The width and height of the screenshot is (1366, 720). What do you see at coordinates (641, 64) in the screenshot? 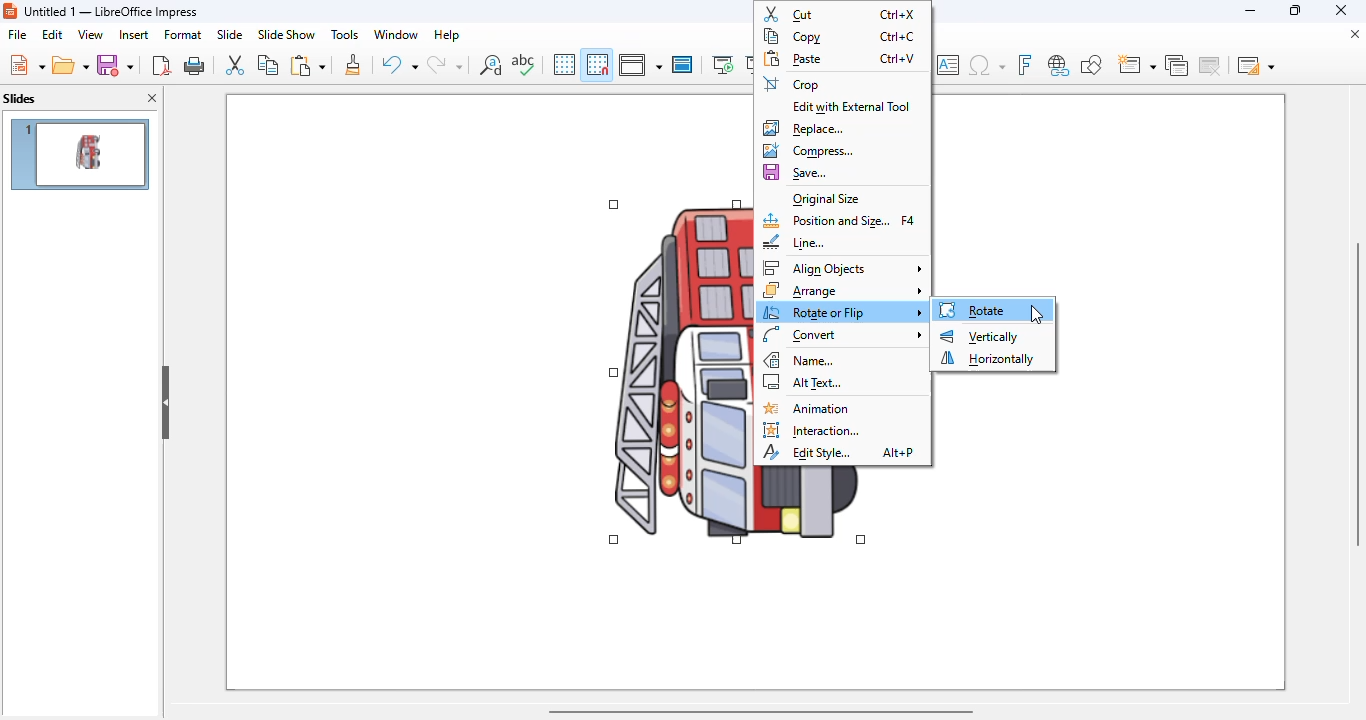
I see `display views` at bounding box center [641, 64].